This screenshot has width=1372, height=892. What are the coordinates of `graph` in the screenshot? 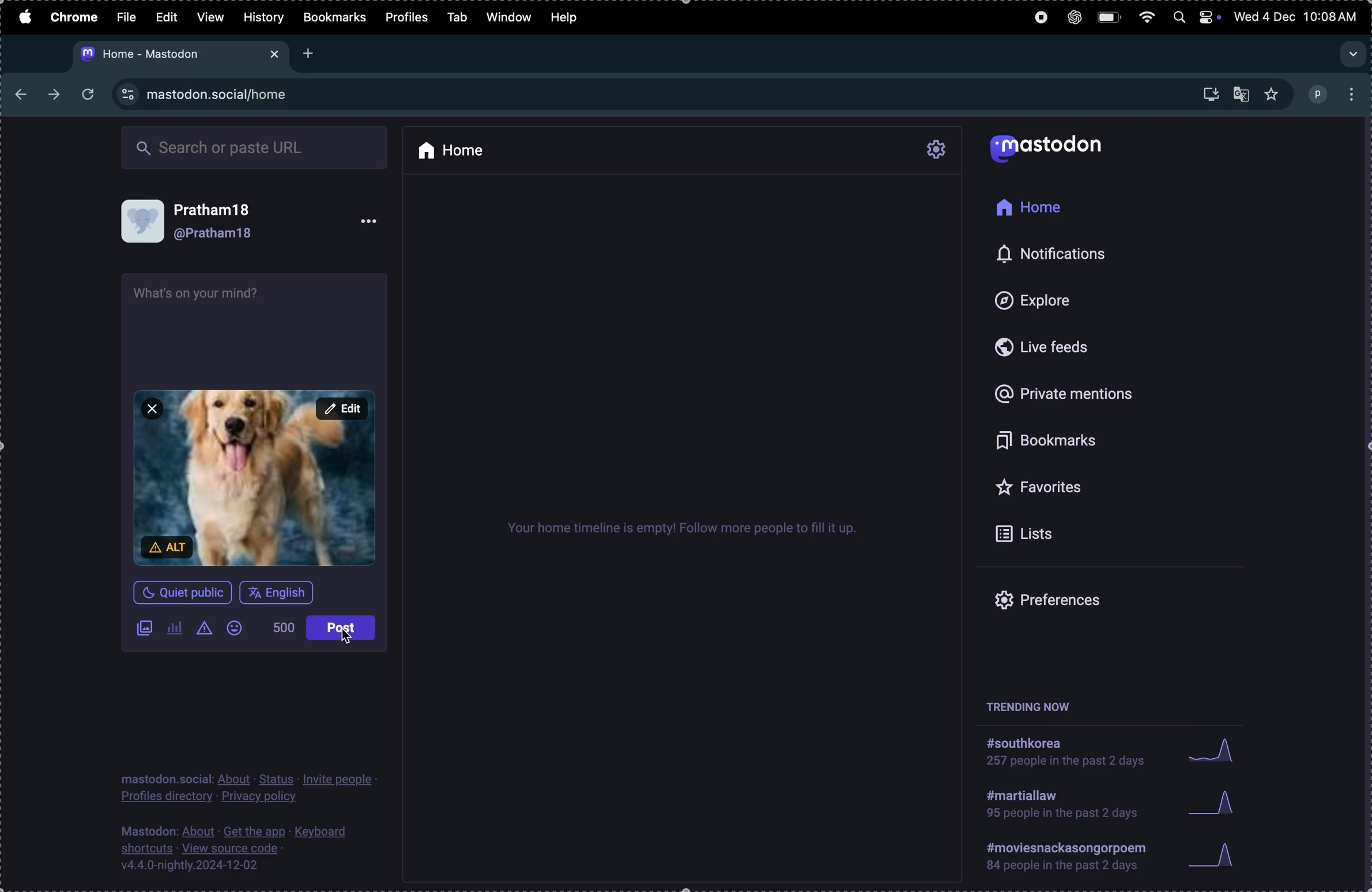 It's located at (1215, 803).